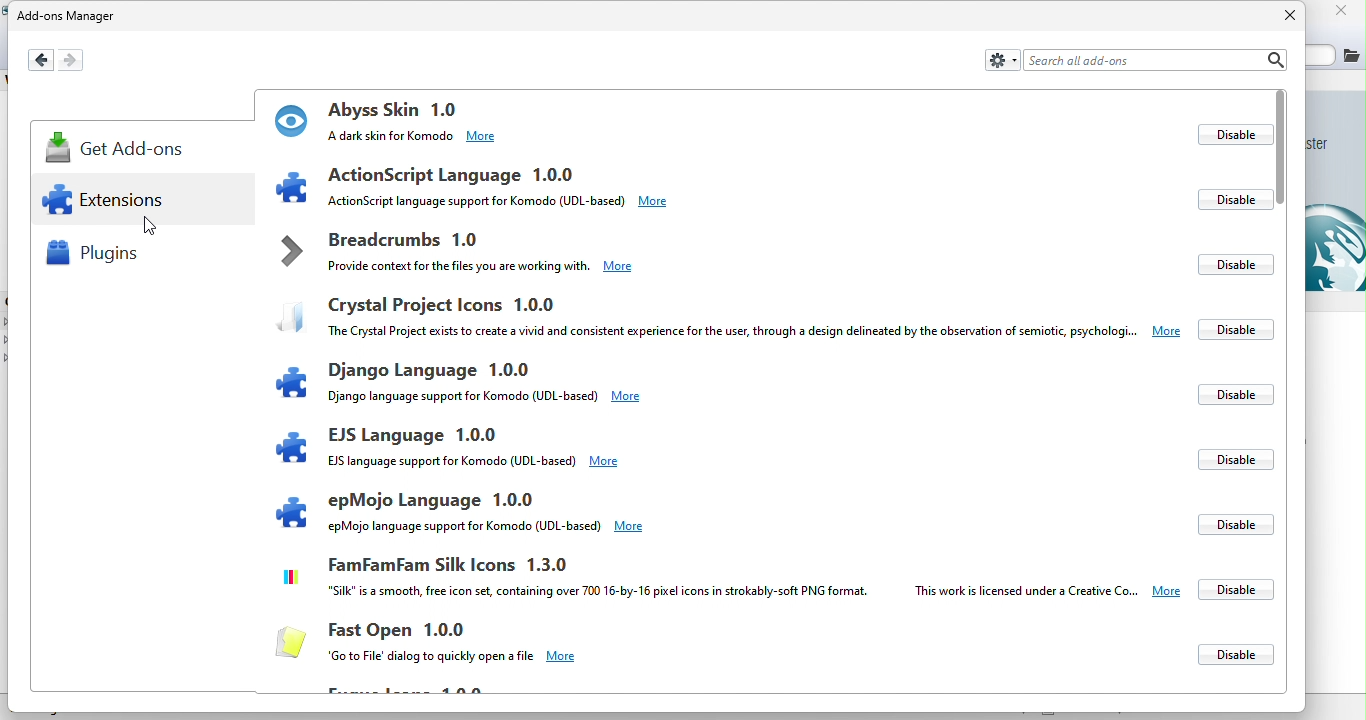 Image resolution: width=1366 pixels, height=720 pixels. Describe the element at coordinates (1238, 328) in the screenshot. I see `disable` at that location.